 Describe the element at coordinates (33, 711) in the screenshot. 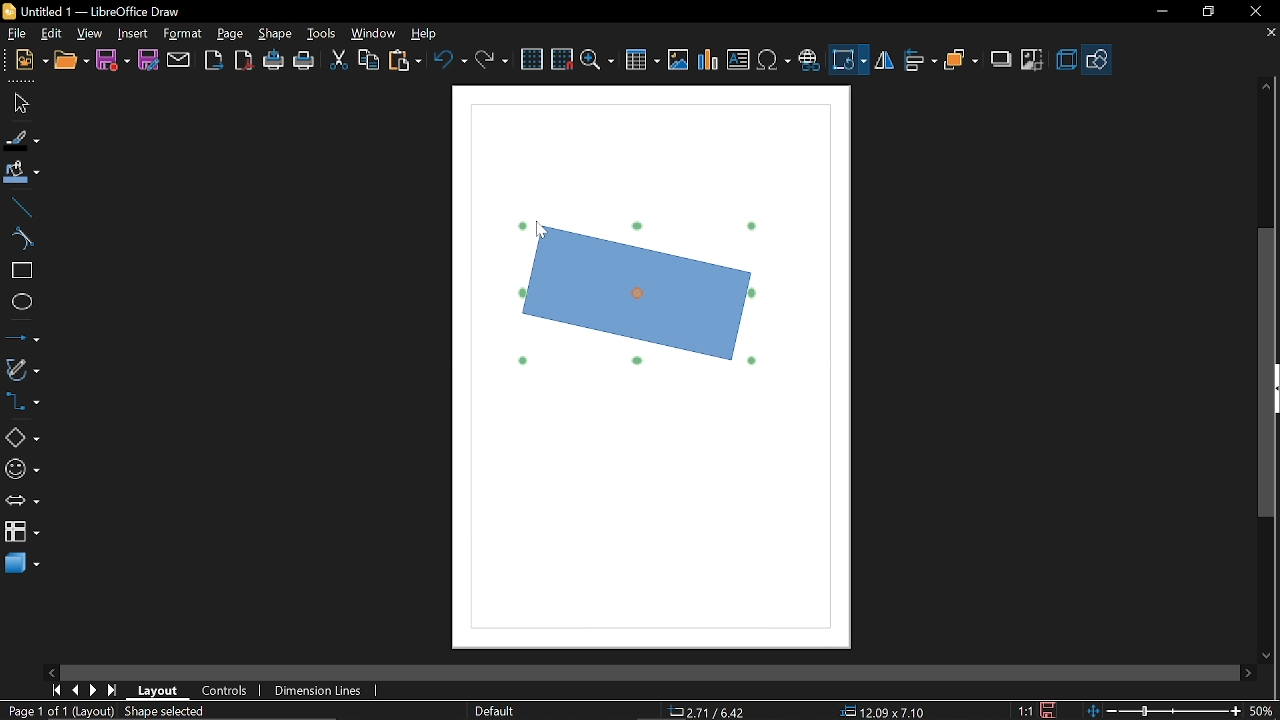

I see `Page 1 of 1` at that location.